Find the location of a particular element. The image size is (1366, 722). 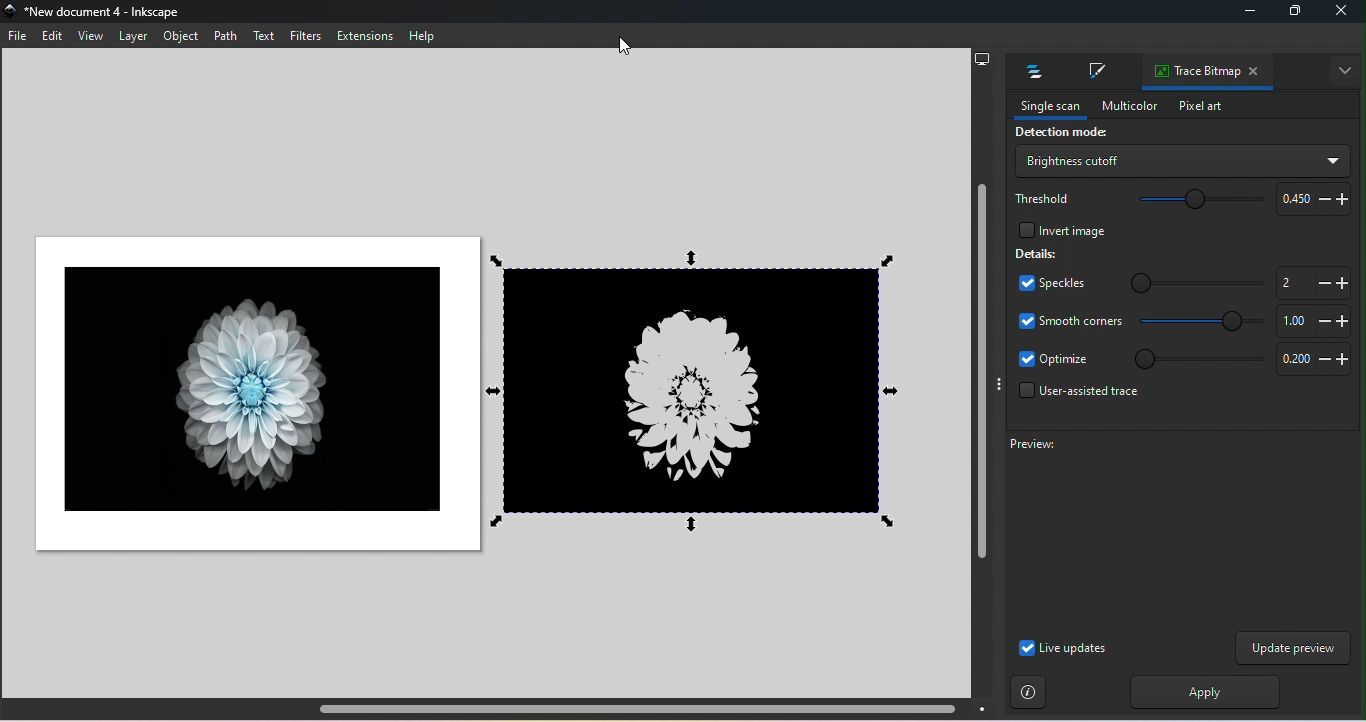

Optimize is located at coordinates (1054, 360).